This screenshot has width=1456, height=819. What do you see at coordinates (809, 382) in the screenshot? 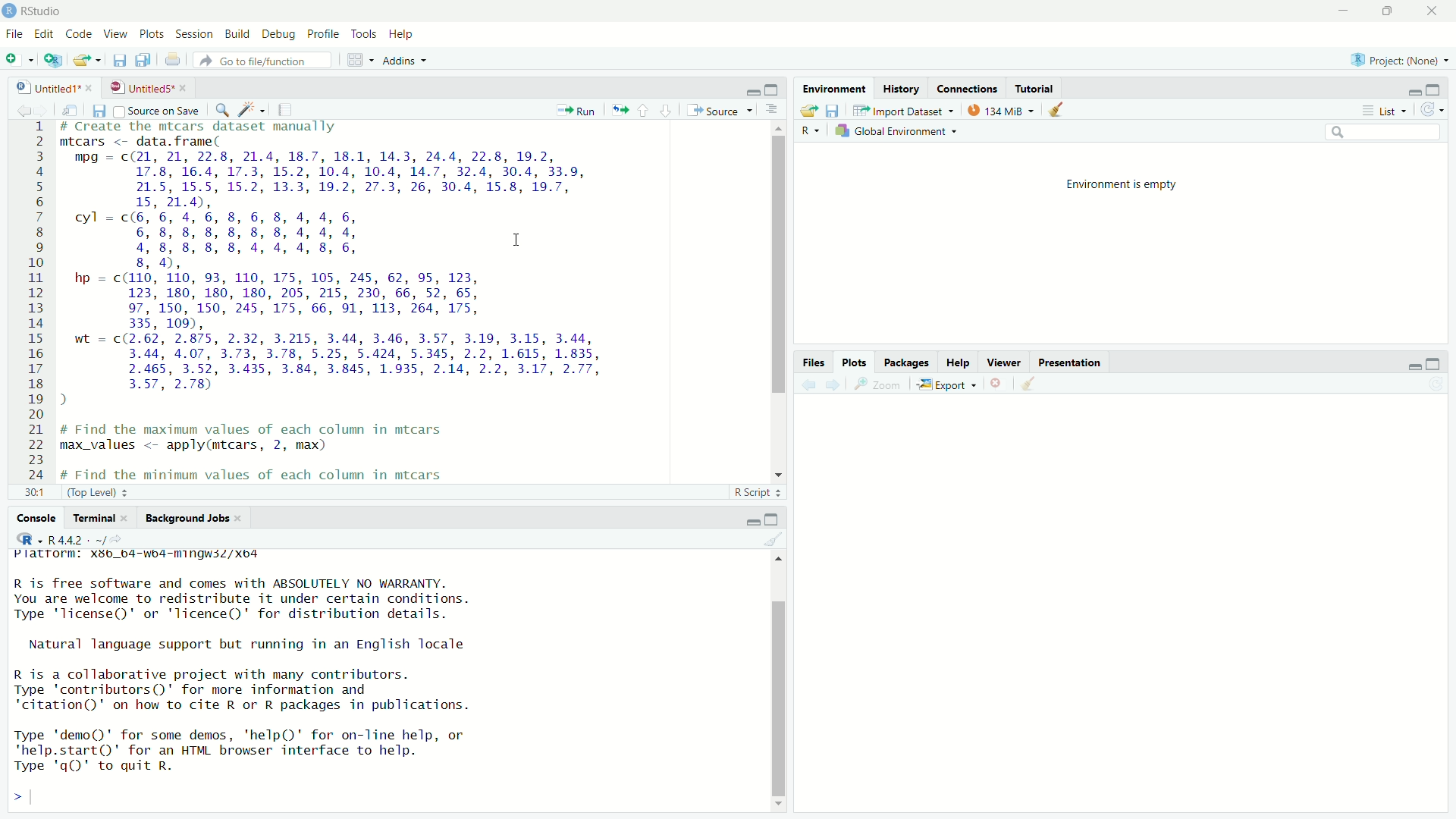
I see `back` at bounding box center [809, 382].